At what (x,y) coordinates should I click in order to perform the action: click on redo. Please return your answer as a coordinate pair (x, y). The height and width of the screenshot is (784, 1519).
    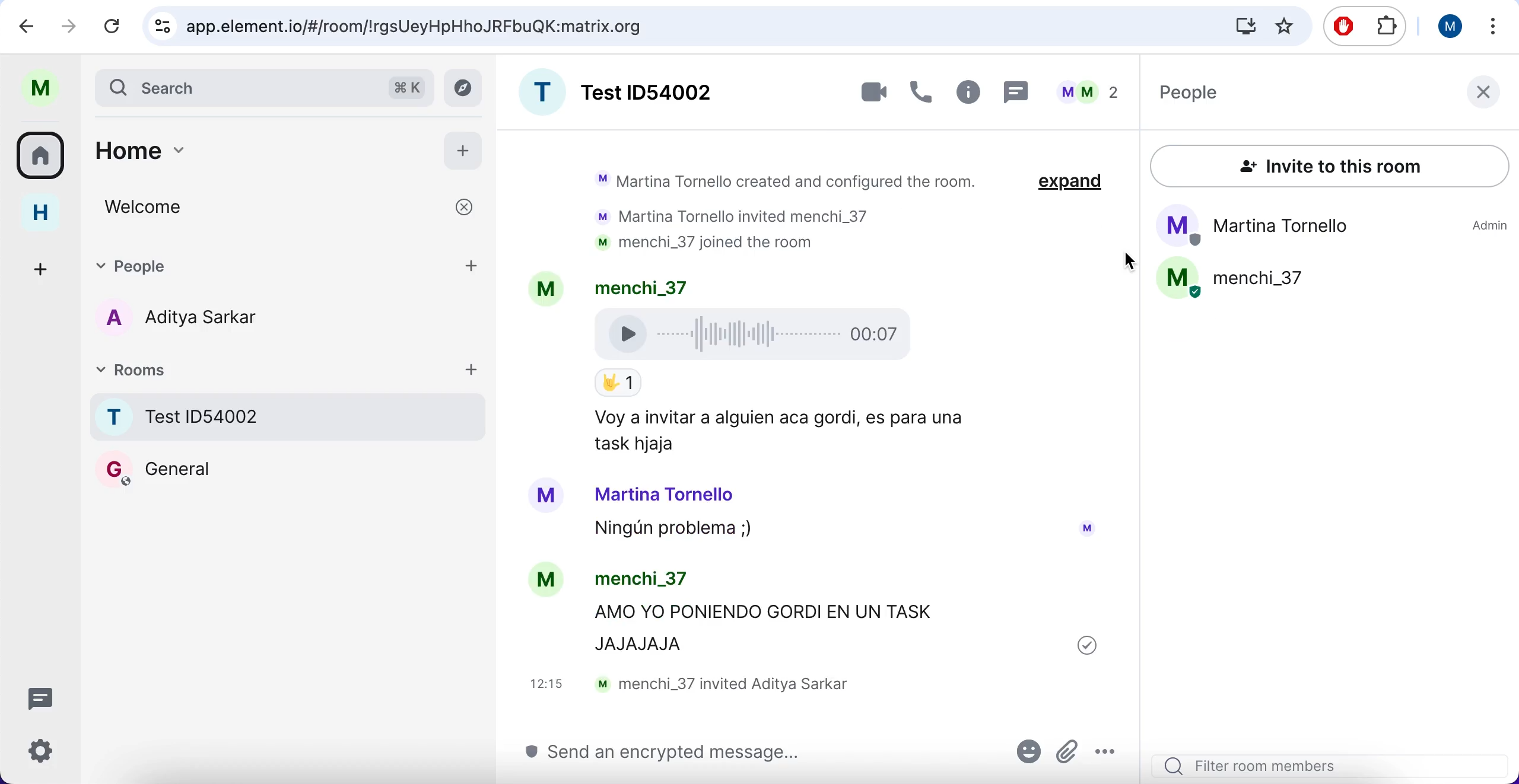
    Looking at the image, I should click on (68, 26).